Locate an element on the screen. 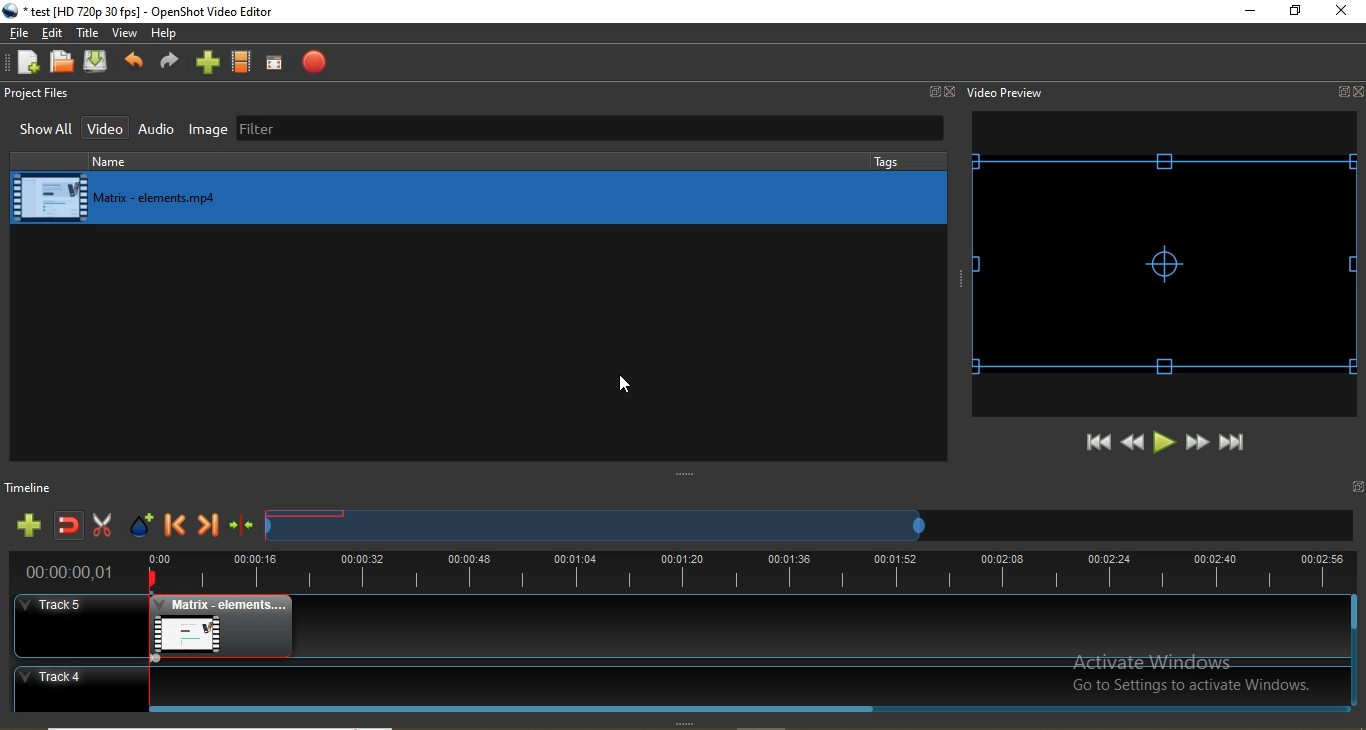 Image resolution: width=1366 pixels, height=730 pixels. cursor is located at coordinates (623, 383).